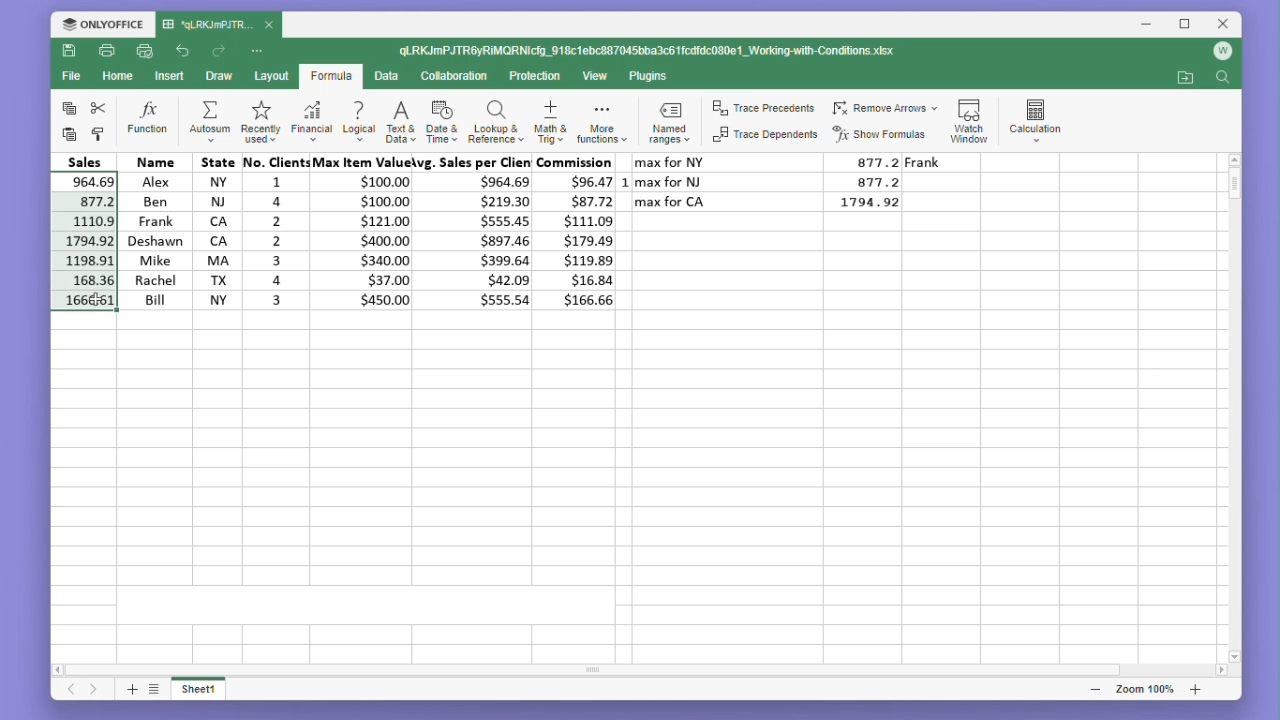  I want to click on Protection, so click(533, 77).